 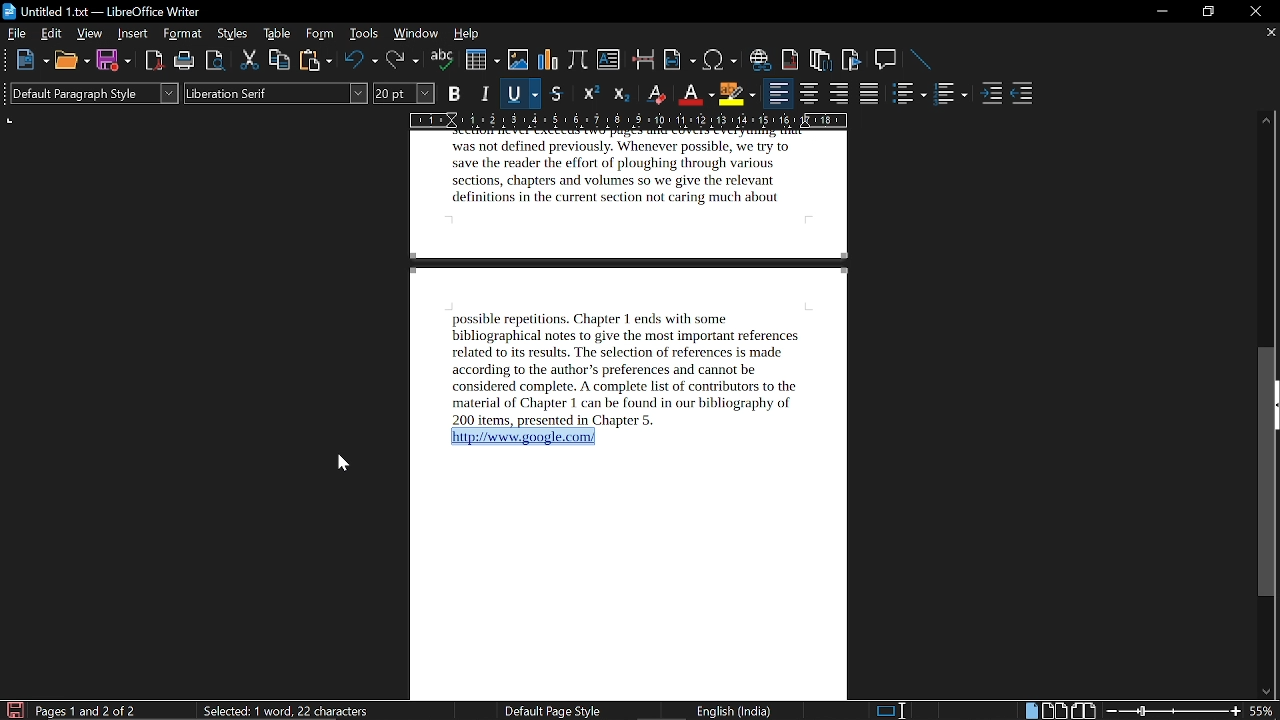 What do you see at coordinates (1206, 12) in the screenshot?
I see `restore down` at bounding box center [1206, 12].